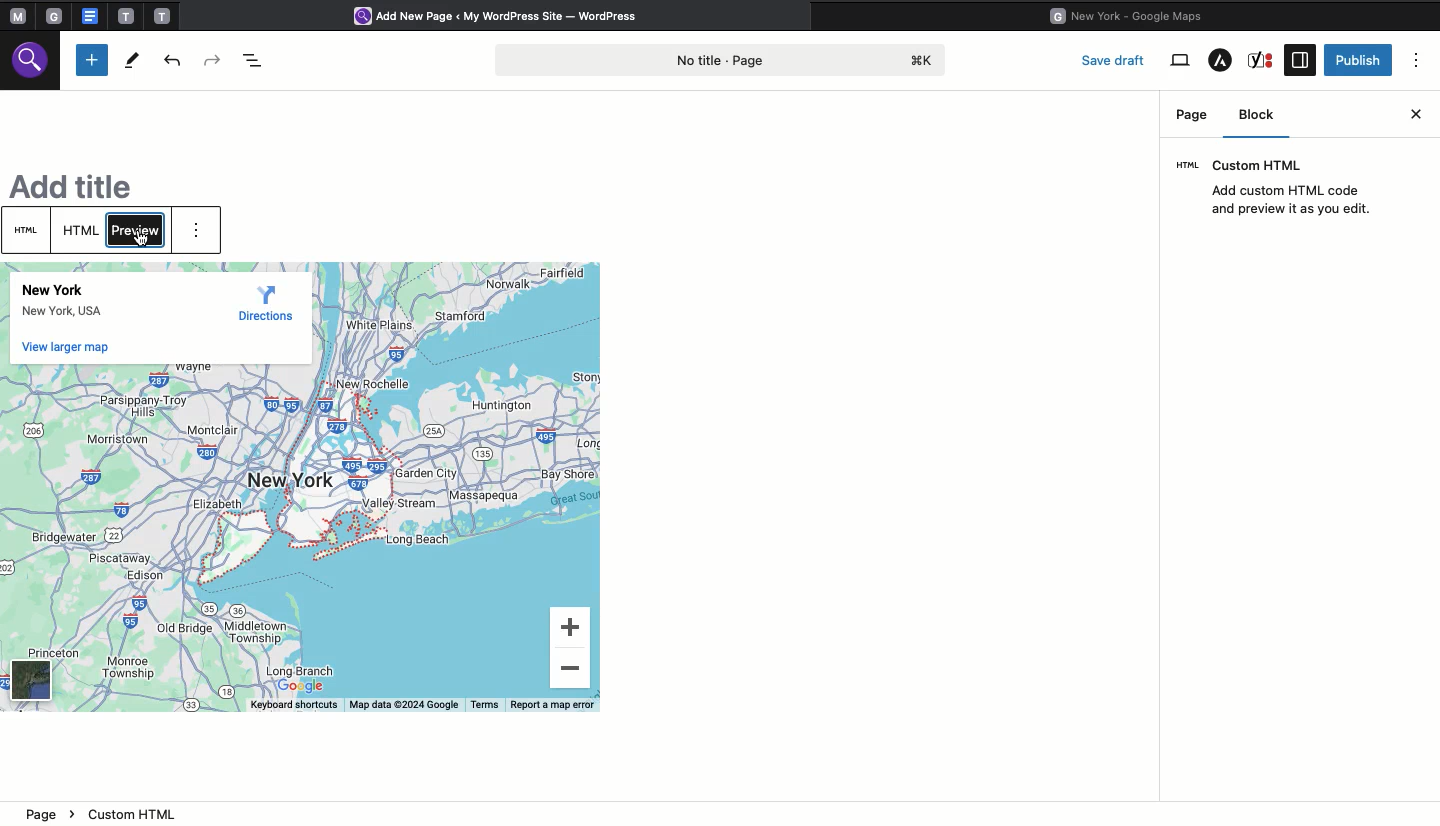  I want to click on View, so click(1180, 61).